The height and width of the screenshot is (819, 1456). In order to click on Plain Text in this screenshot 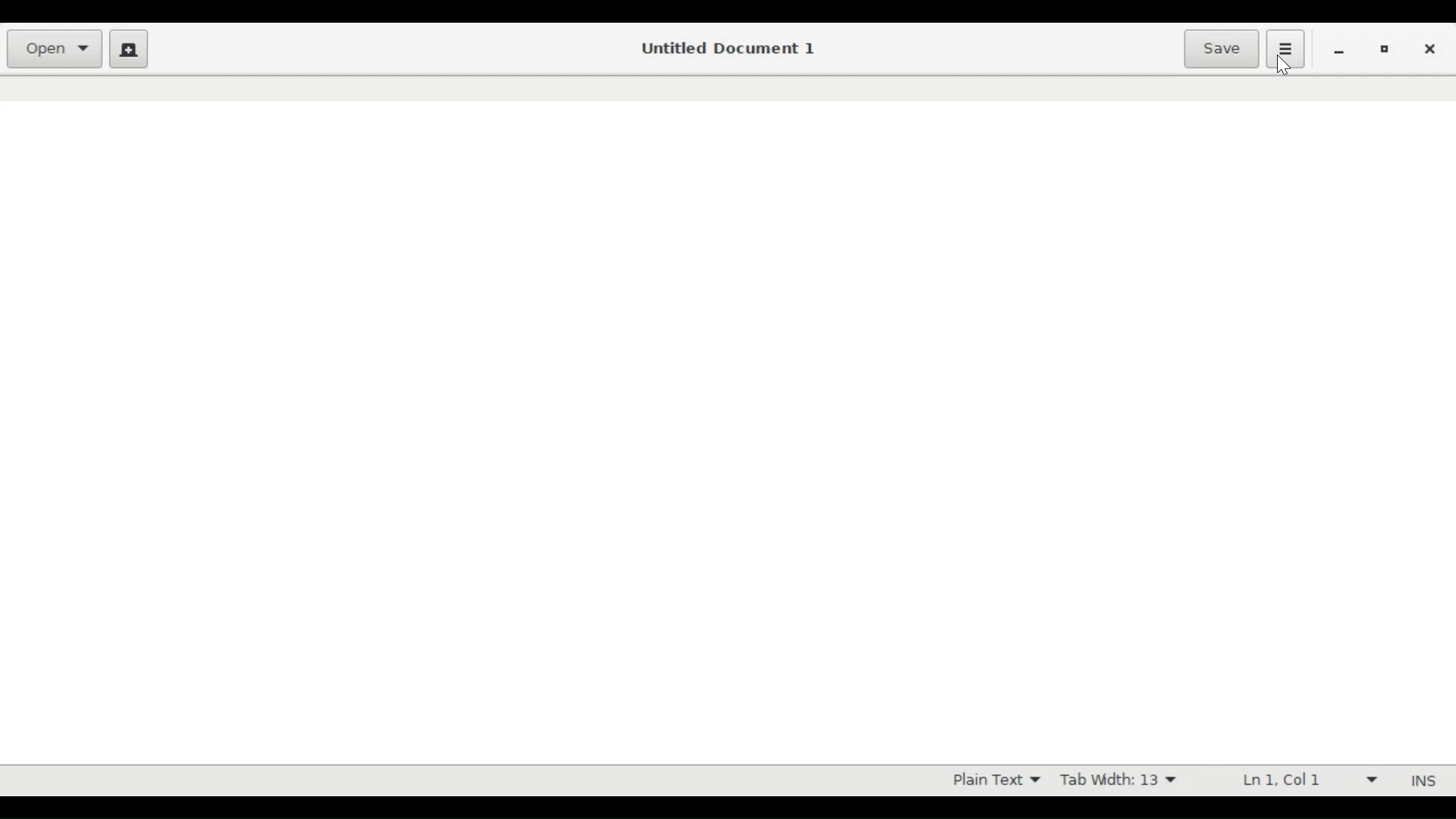, I will do `click(990, 779)`.